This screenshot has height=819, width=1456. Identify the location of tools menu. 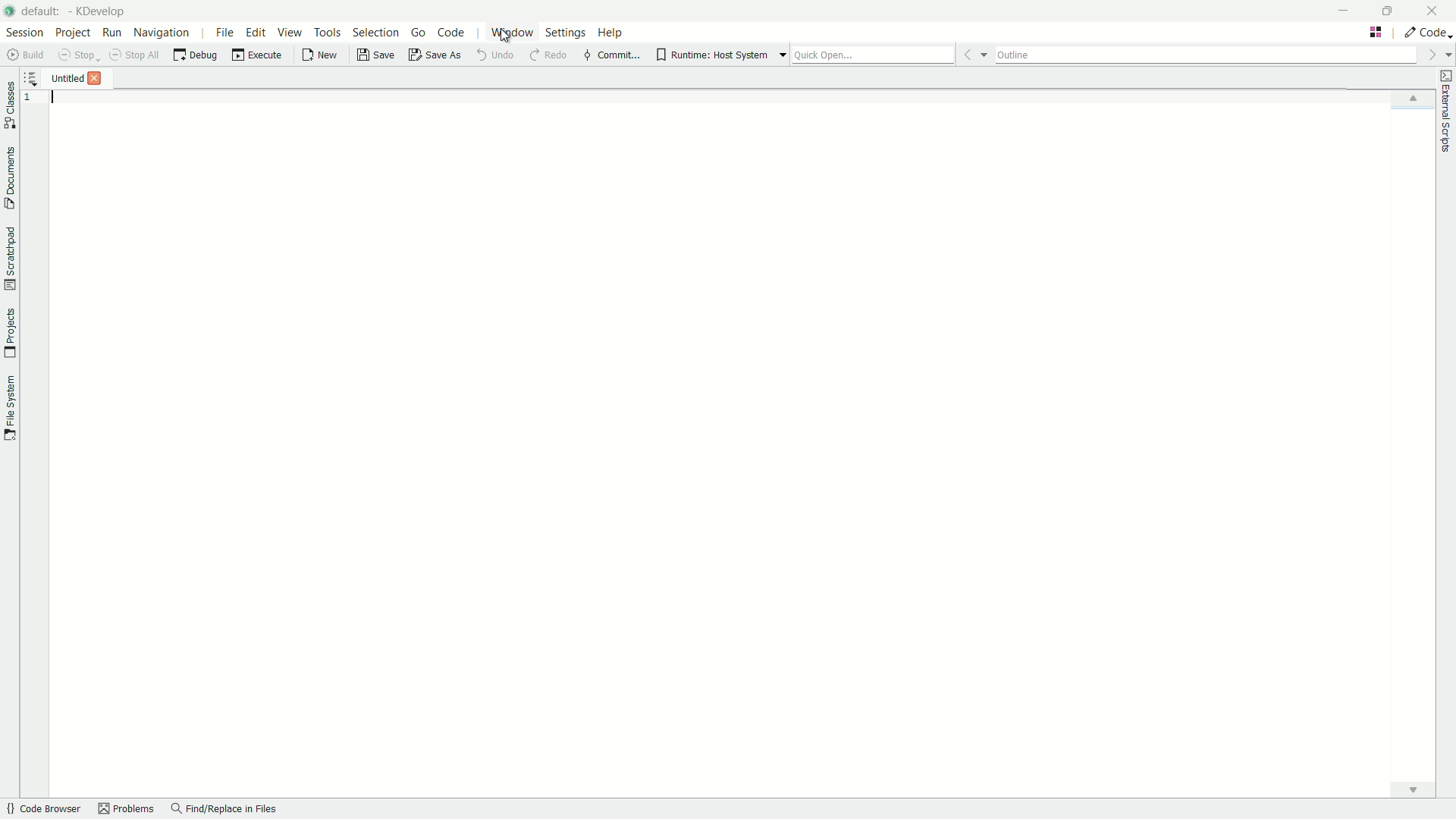
(327, 32).